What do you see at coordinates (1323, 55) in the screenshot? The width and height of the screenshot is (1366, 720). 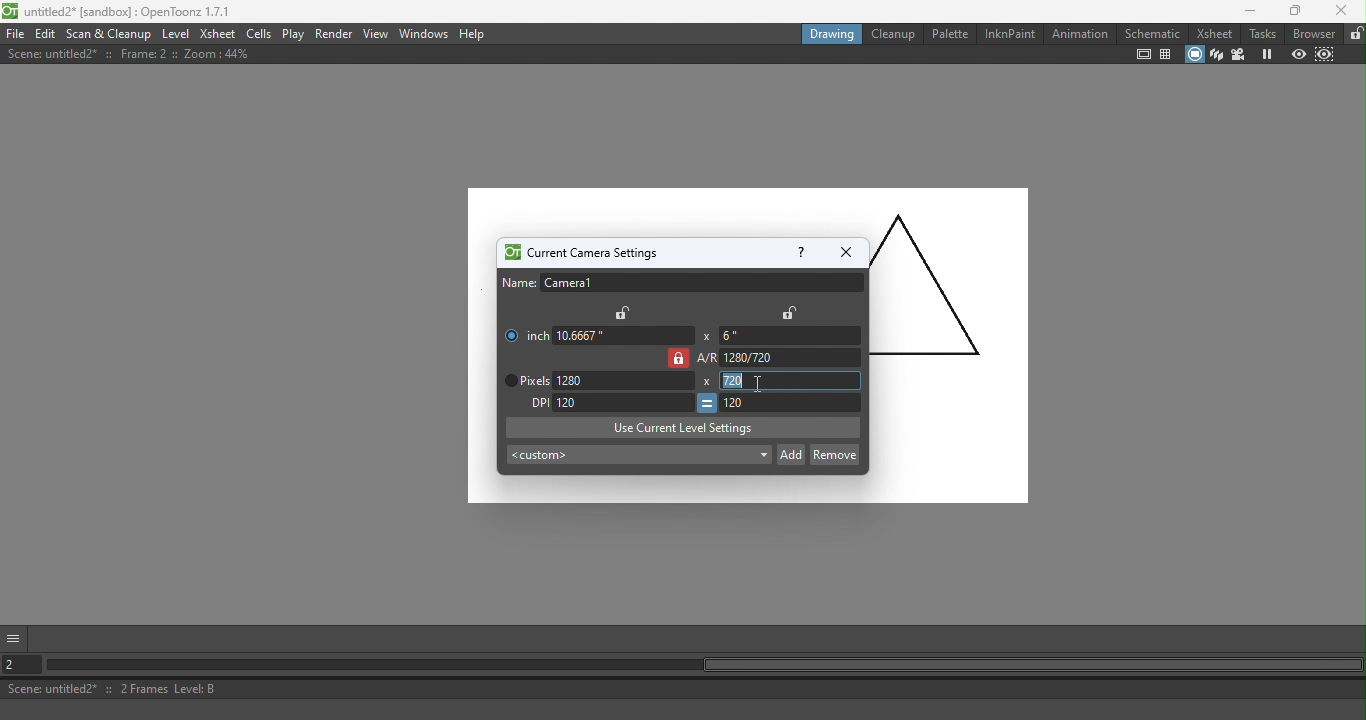 I see `Sub-camera preview` at bounding box center [1323, 55].